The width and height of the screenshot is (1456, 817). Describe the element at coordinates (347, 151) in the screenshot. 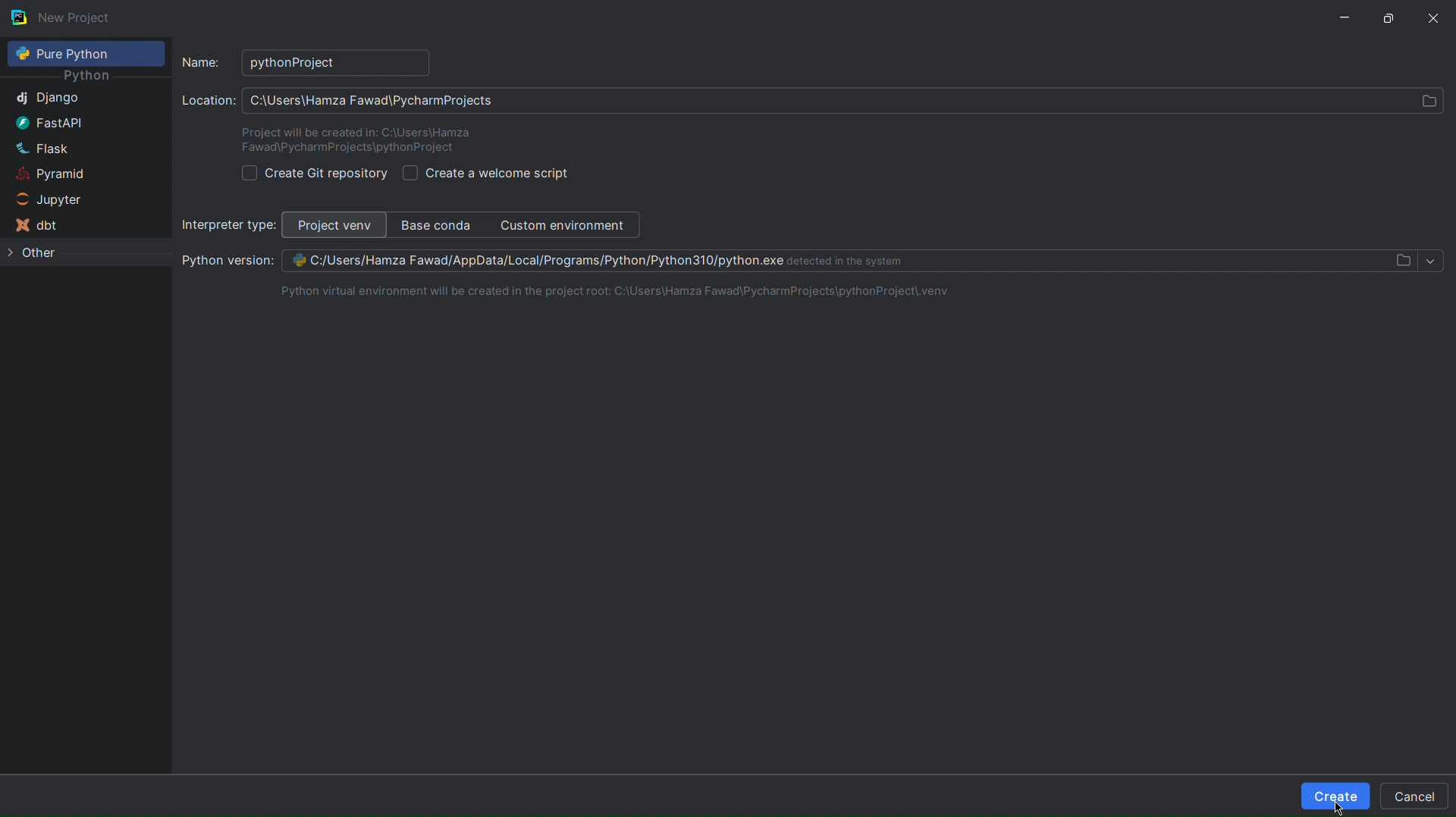

I see `Fawad\PycharmProjects\pythonProject` at that location.